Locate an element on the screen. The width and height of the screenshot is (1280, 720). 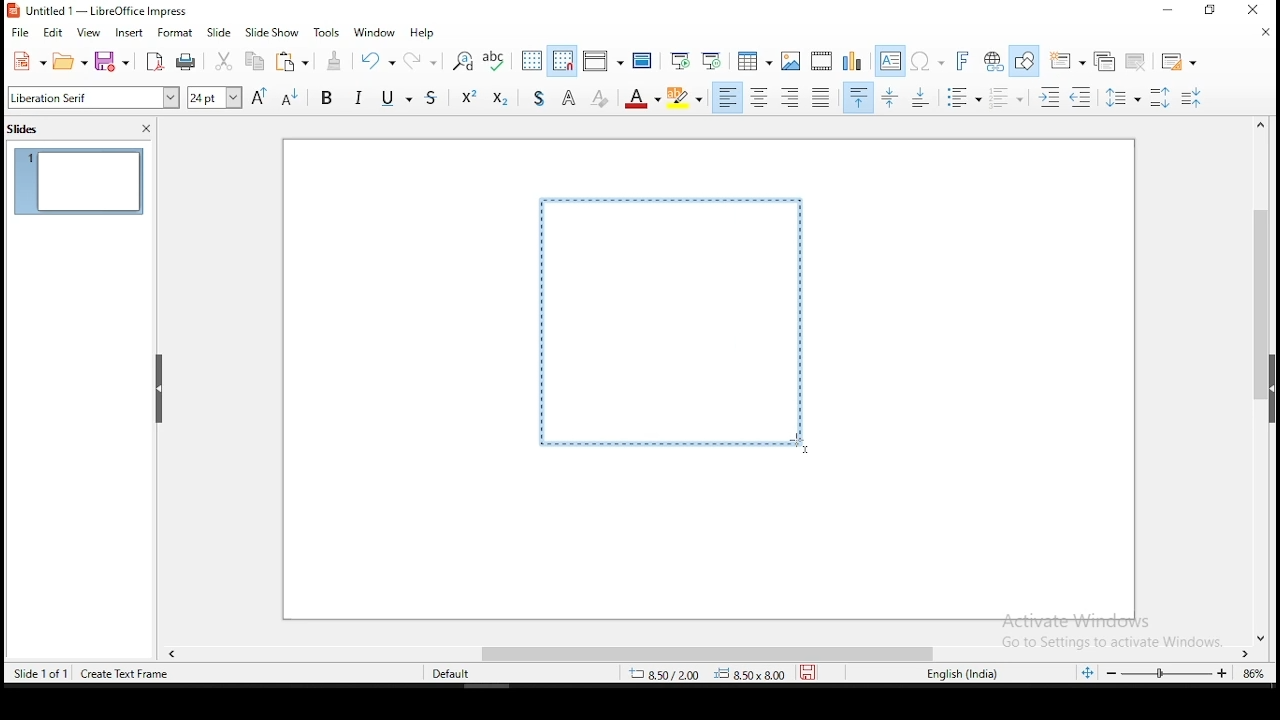
find and replace is located at coordinates (464, 61).